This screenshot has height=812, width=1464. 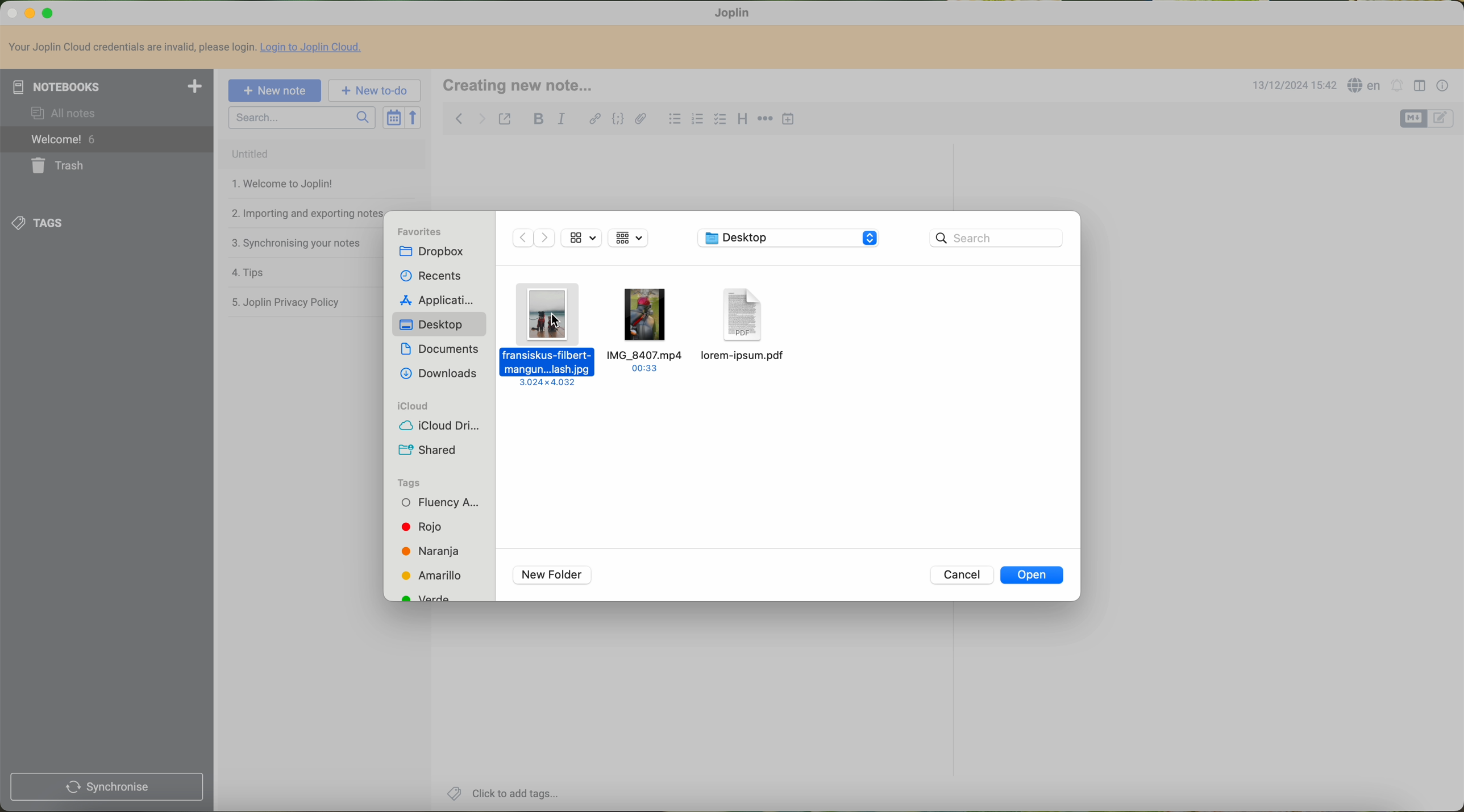 What do you see at coordinates (1292, 86) in the screenshot?
I see `date and hour` at bounding box center [1292, 86].